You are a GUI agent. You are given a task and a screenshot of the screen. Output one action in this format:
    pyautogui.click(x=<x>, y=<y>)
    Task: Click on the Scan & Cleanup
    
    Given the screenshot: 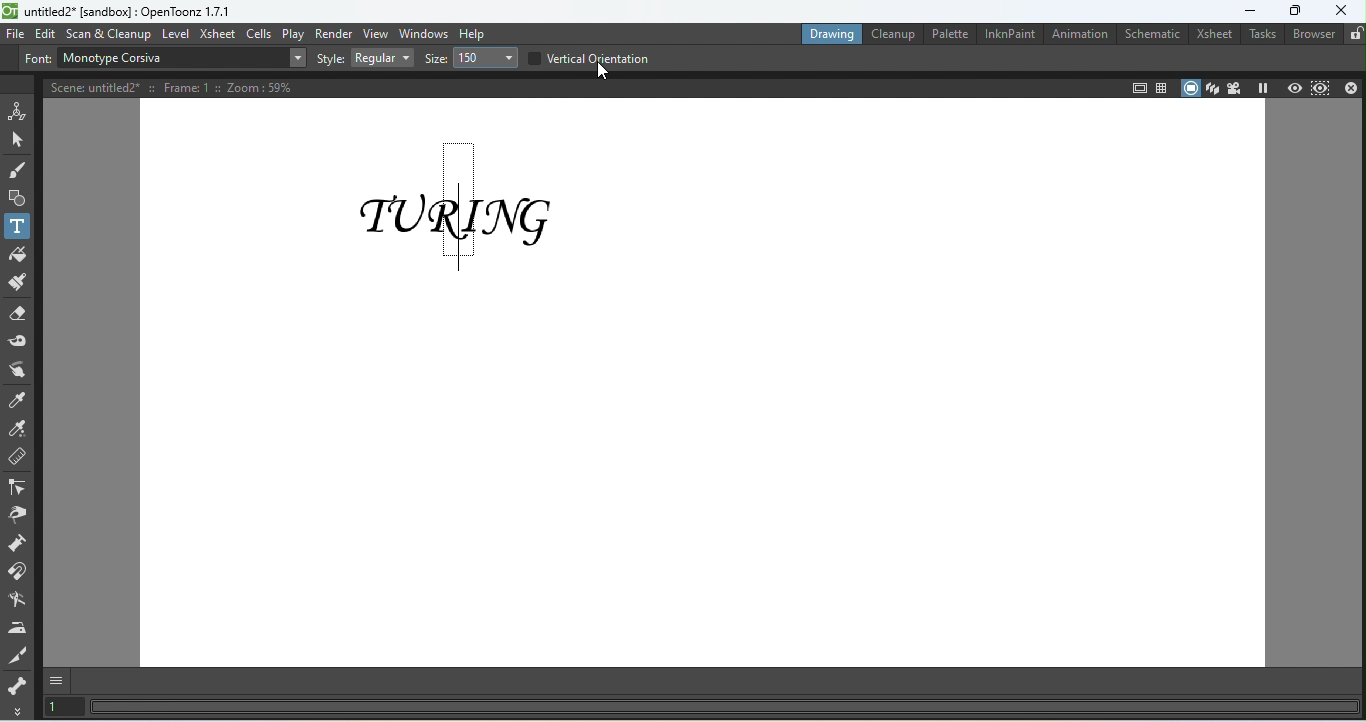 What is the action you would take?
    pyautogui.click(x=110, y=32)
    